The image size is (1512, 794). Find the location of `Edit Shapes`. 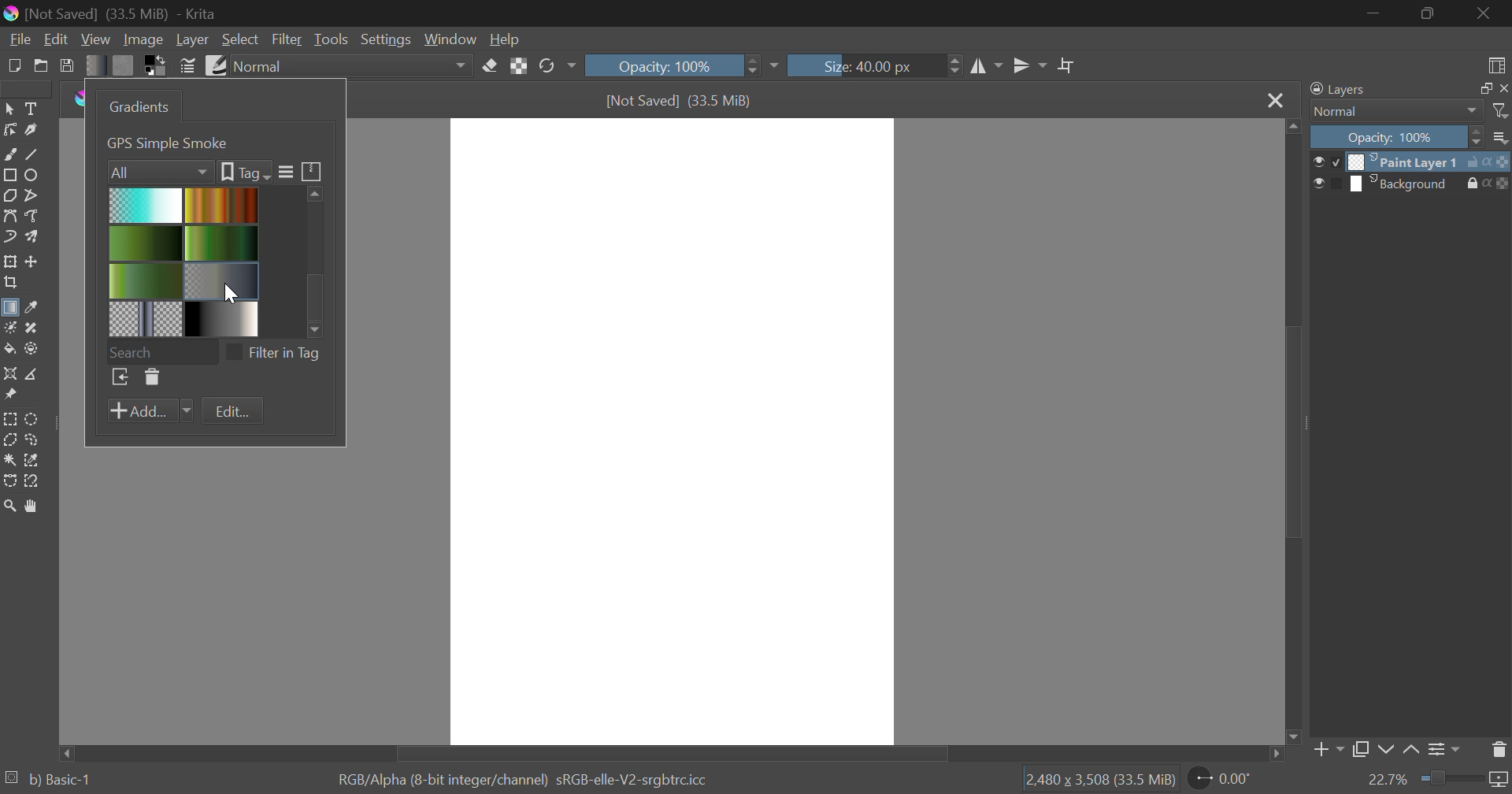

Edit Shapes is located at coordinates (9, 130).